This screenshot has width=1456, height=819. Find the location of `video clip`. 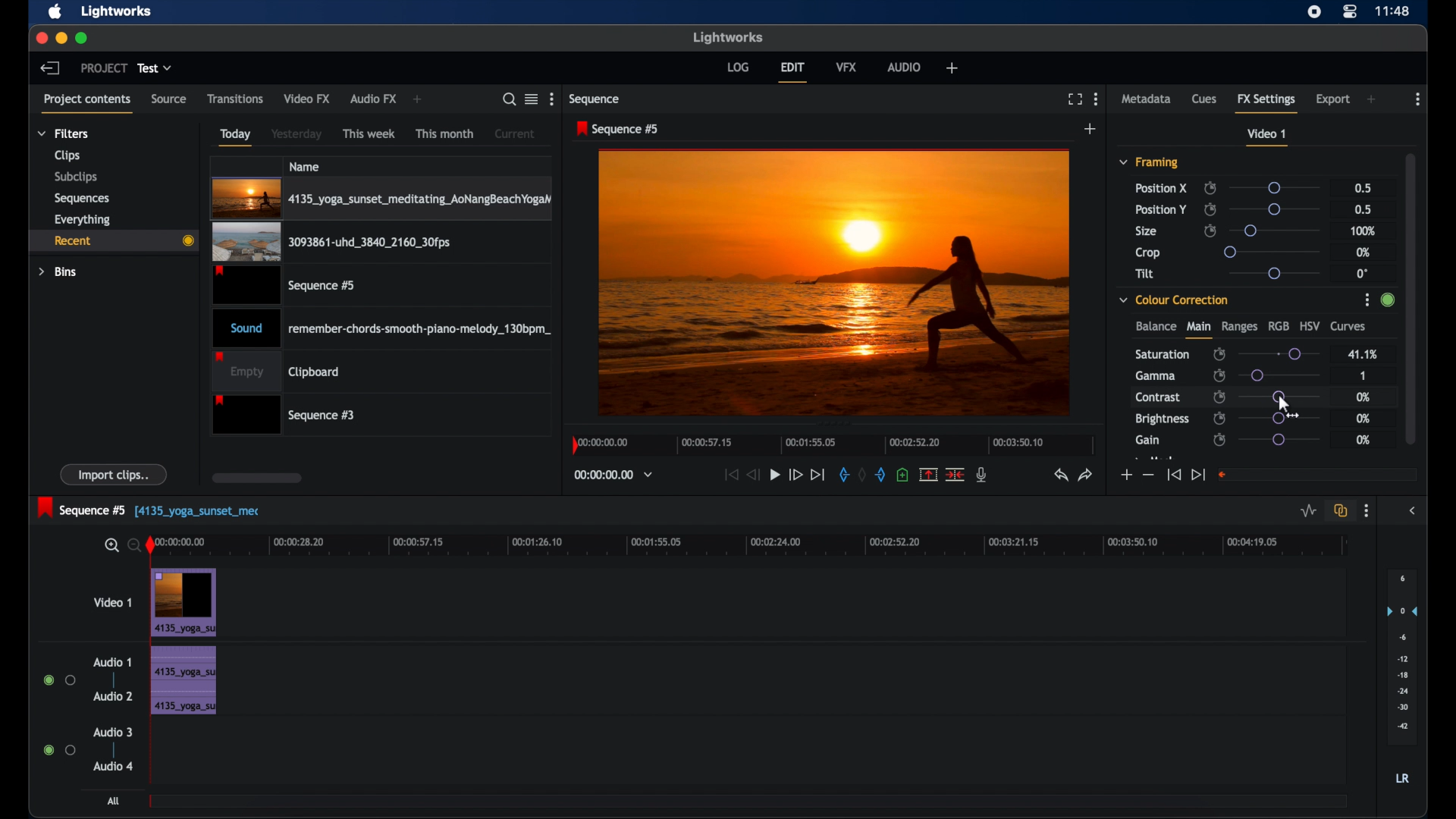

video clip is located at coordinates (286, 285).